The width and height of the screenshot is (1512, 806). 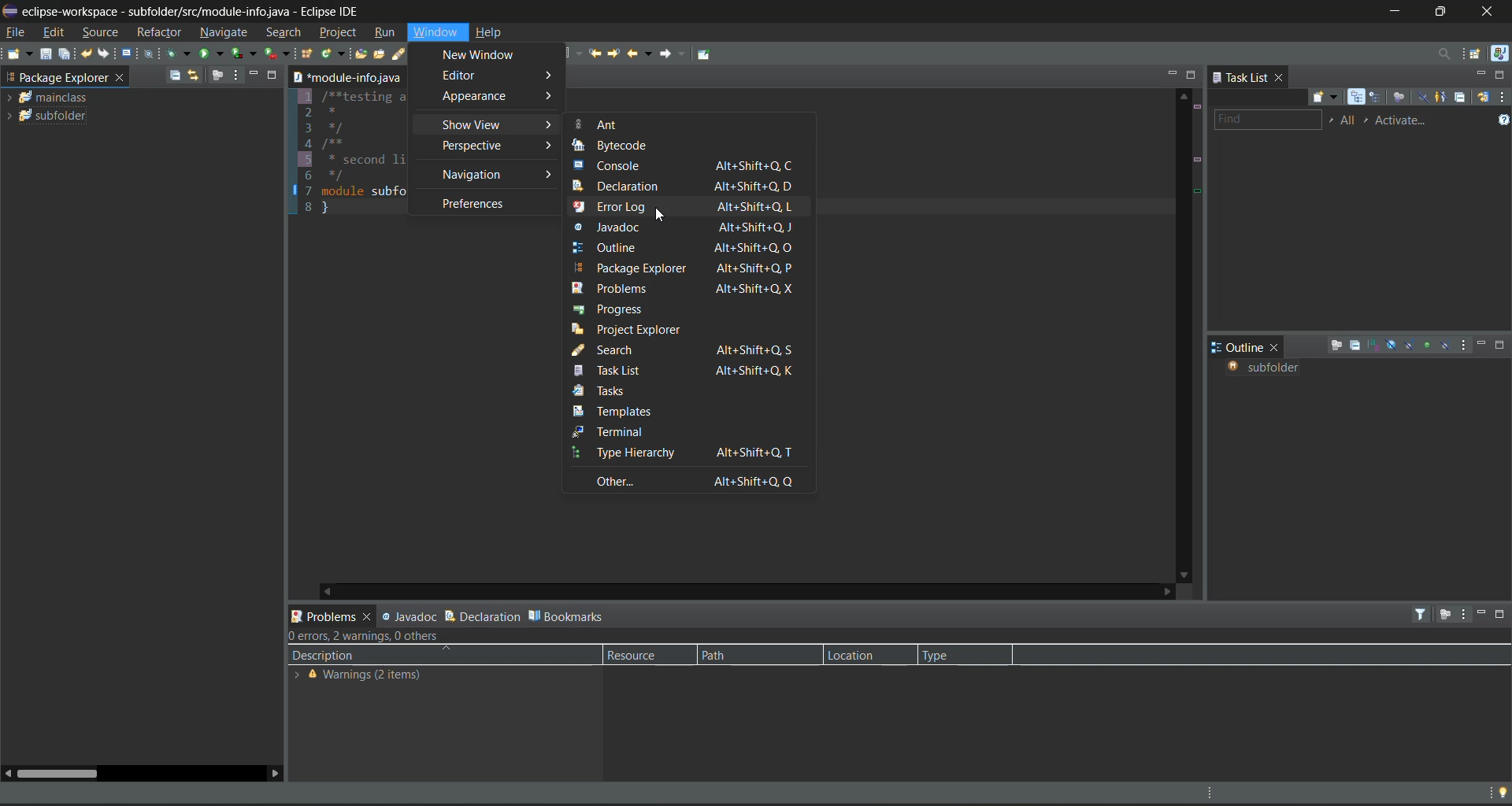 I want to click on focus on active task, so click(x=1445, y=614).